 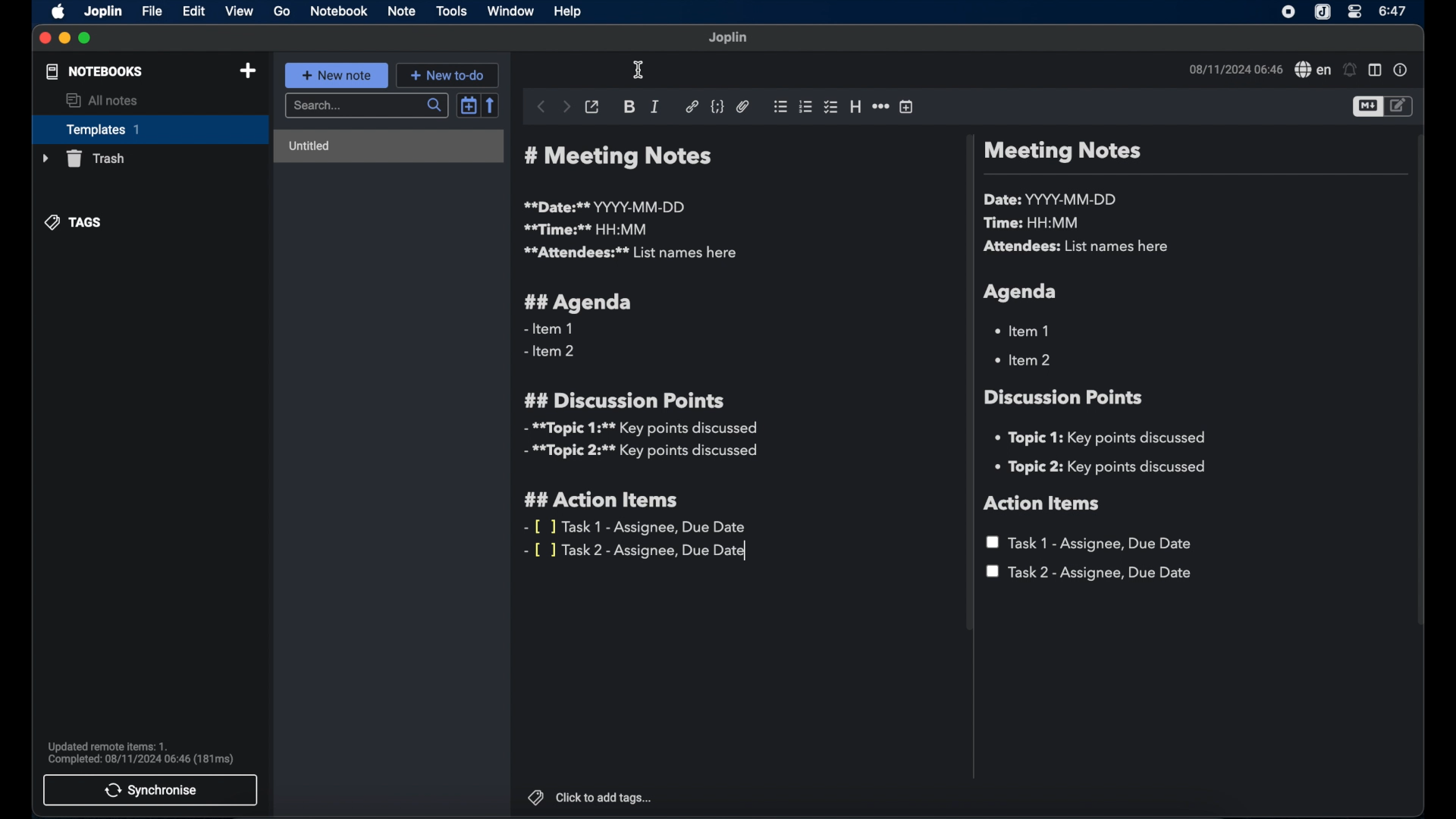 I want to click on bulleted list, so click(x=780, y=105).